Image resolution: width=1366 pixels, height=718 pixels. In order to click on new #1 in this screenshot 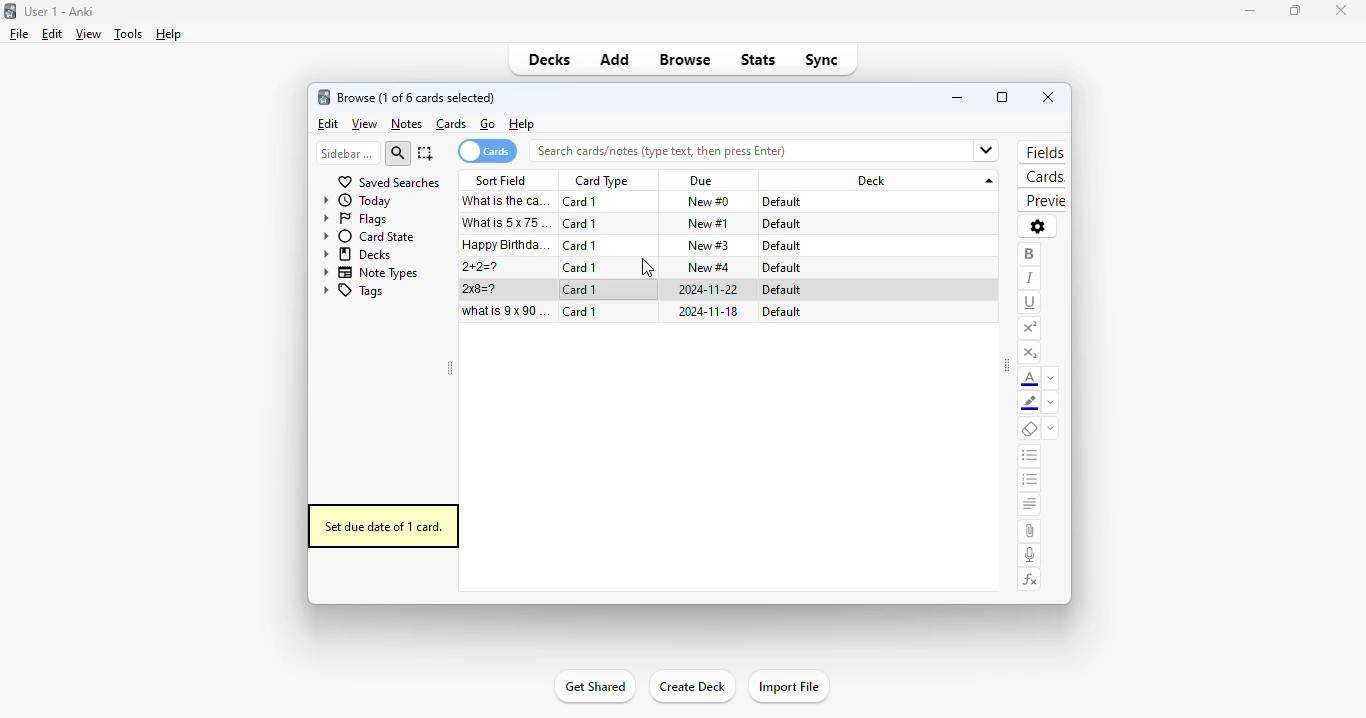, I will do `click(709, 223)`.